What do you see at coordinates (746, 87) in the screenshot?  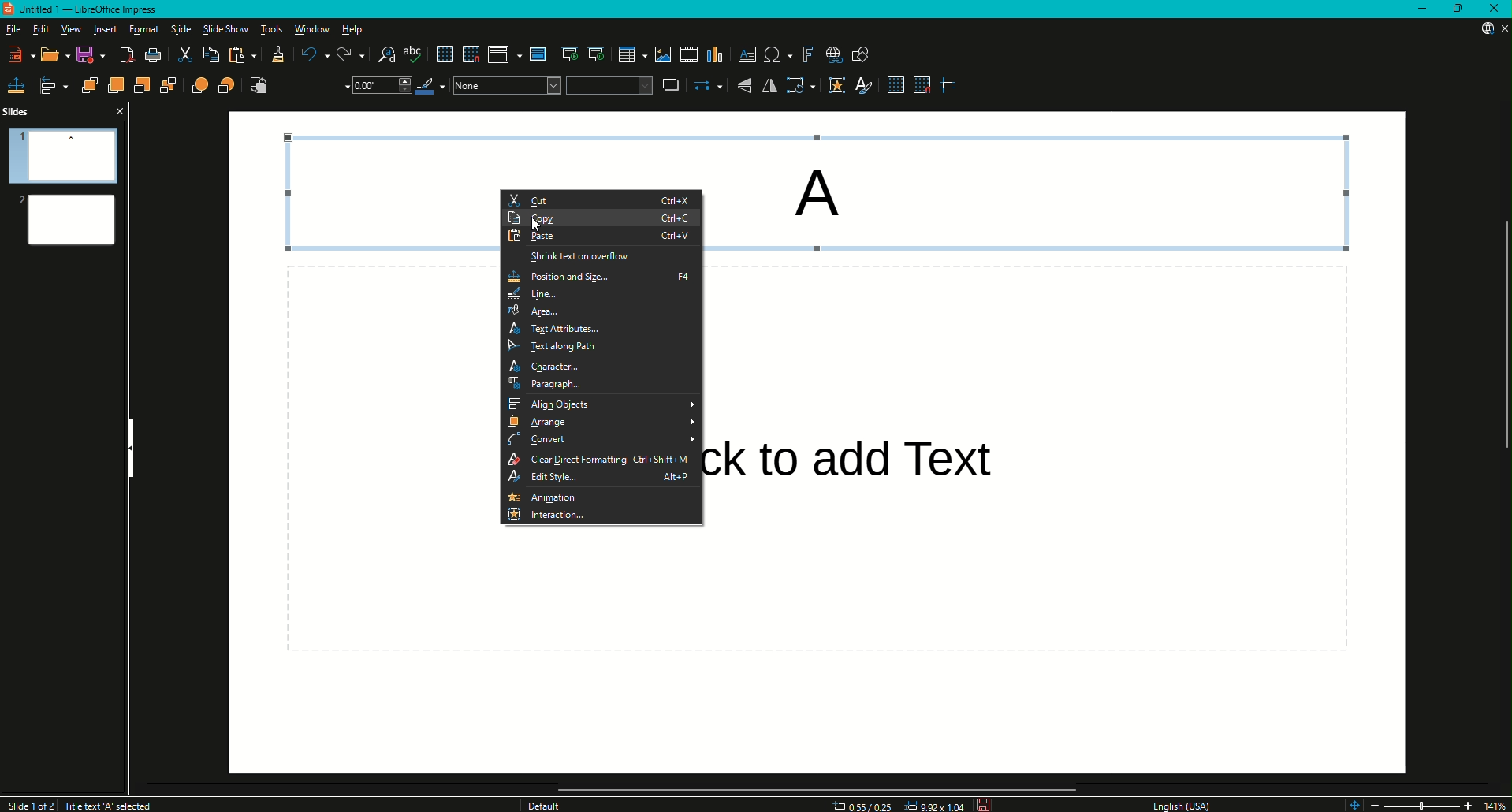 I see `Vertically` at bounding box center [746, 87].